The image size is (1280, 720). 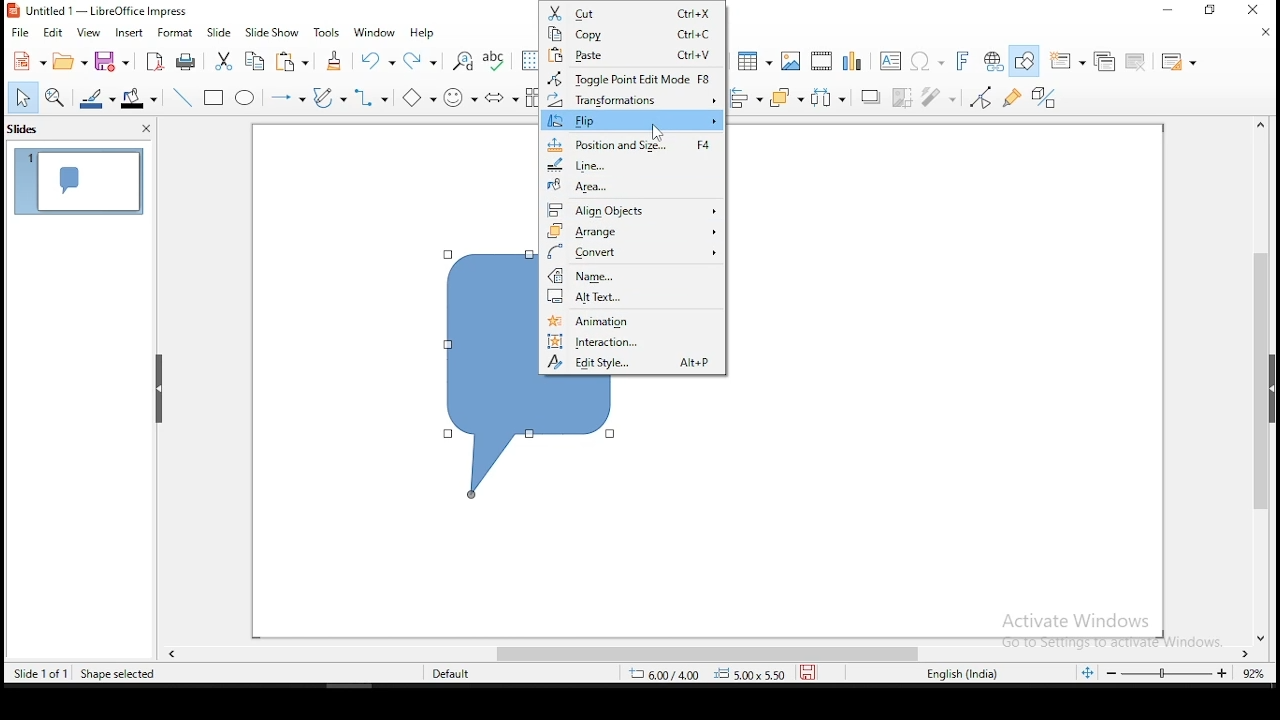 What do you see at coordinates (27, 60) in the screenshot?
I see `new` at bounding box center [27, 60].